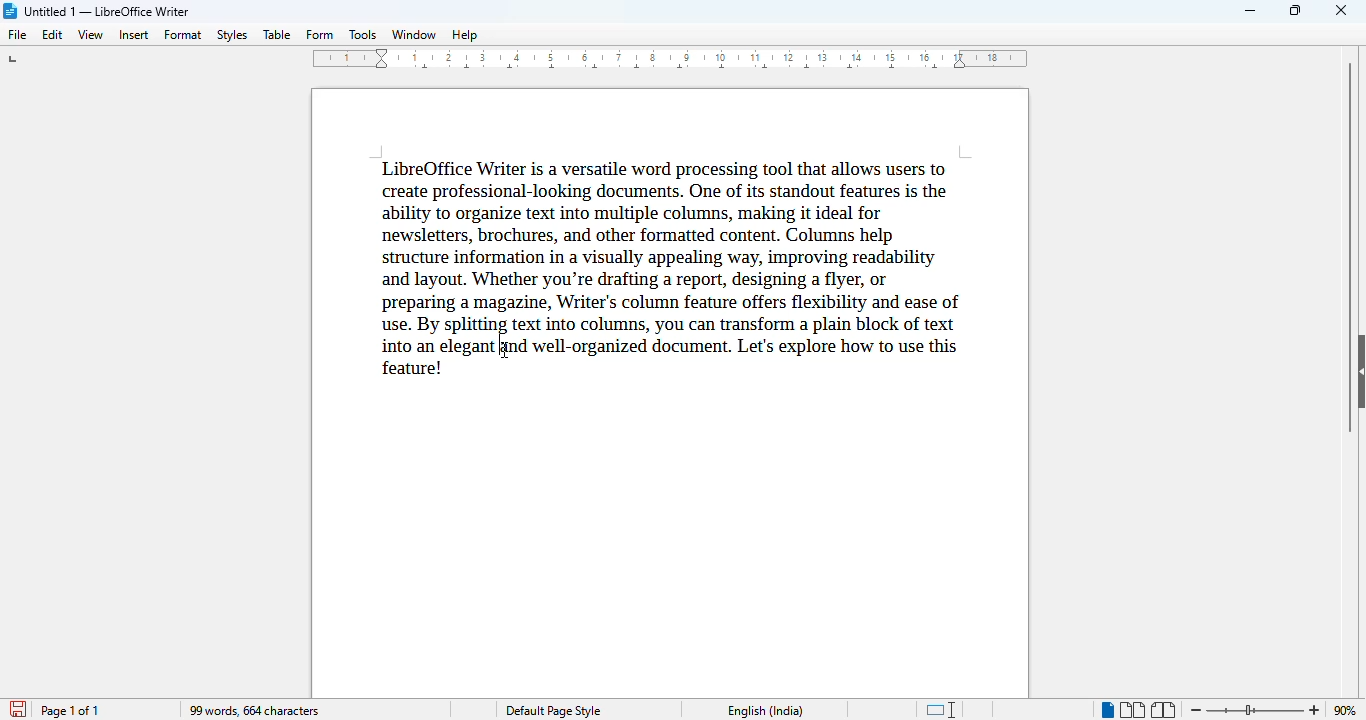 This screenshot has height=720, width=1366. I want to click on Change zoom level, so click(1256, 710).